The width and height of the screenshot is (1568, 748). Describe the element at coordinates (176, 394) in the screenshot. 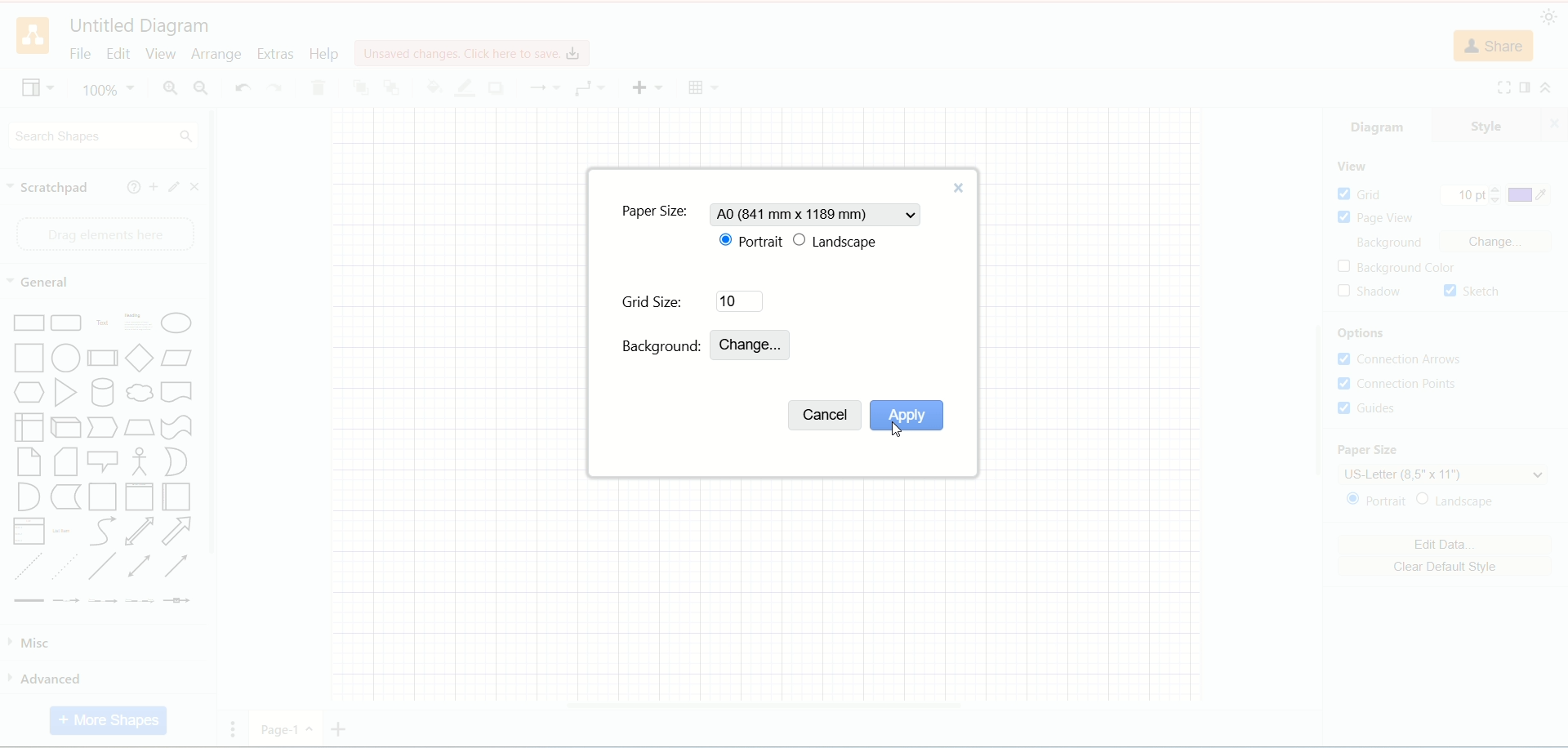

I see `Document` at that location.